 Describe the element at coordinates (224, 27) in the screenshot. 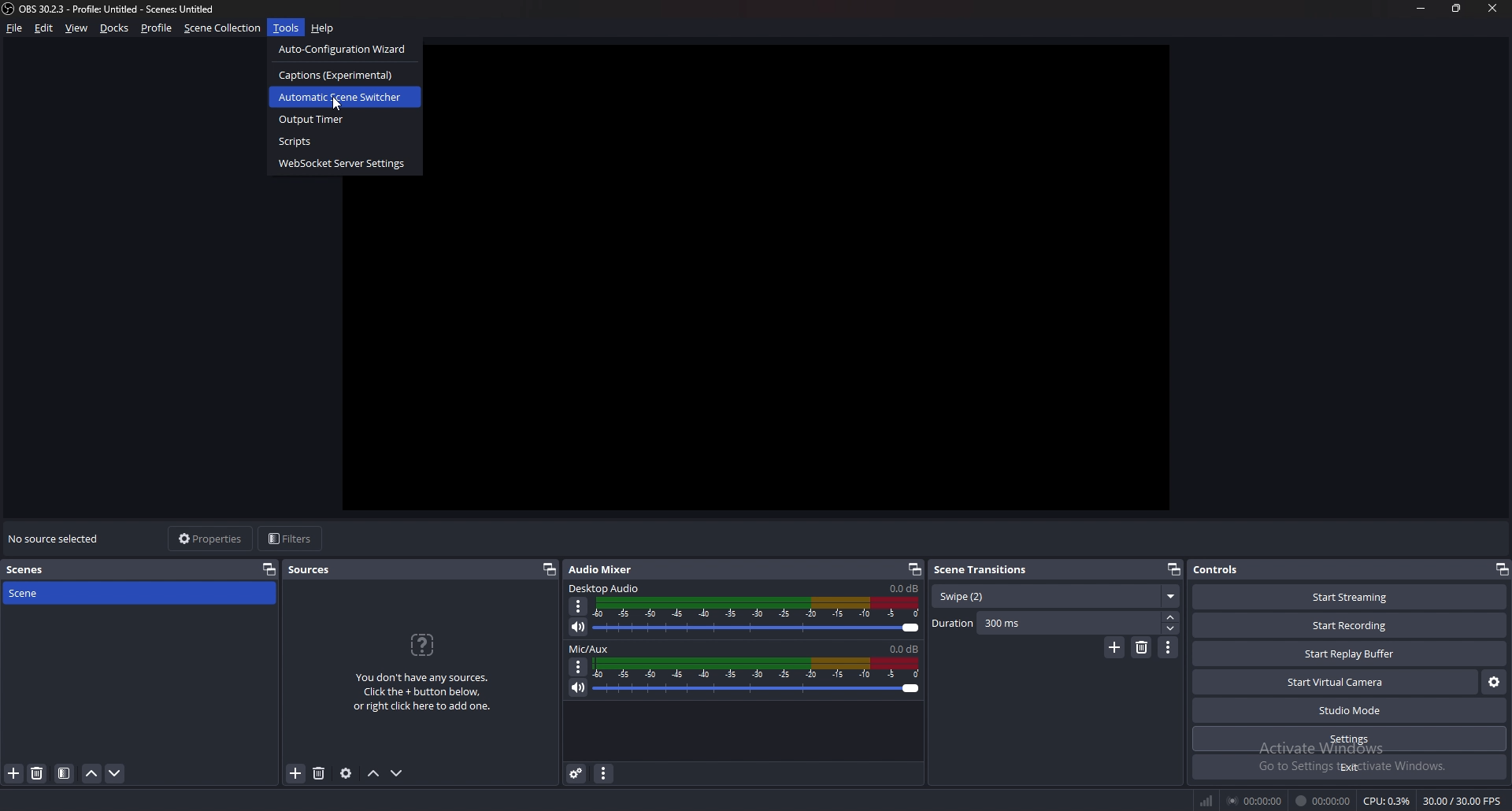

I see `scene collection` at that location.